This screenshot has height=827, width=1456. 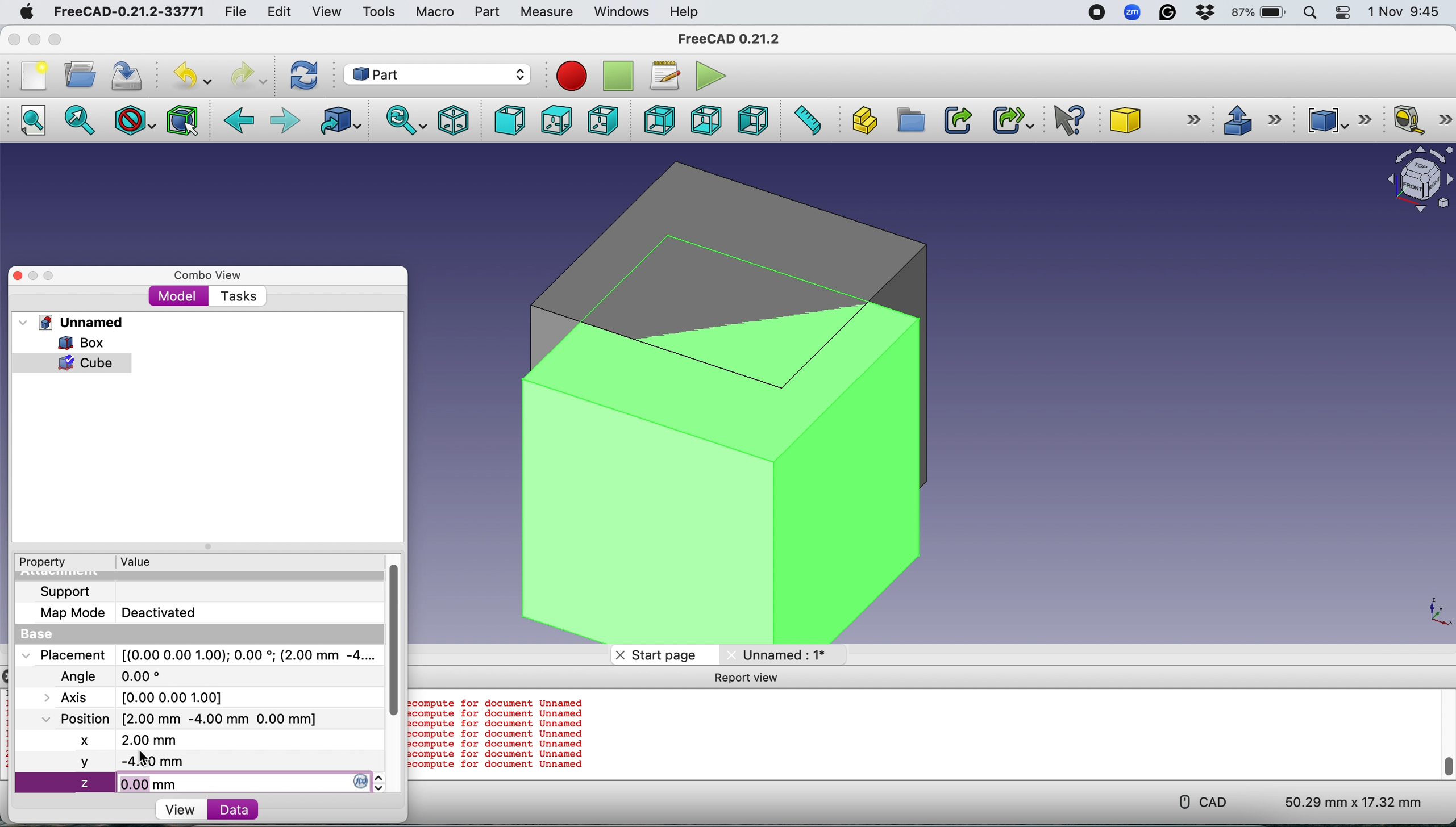 What do you see at coordinates (555, 121) in the screenshot?
I see `Top` at bounding box center [555, 121].